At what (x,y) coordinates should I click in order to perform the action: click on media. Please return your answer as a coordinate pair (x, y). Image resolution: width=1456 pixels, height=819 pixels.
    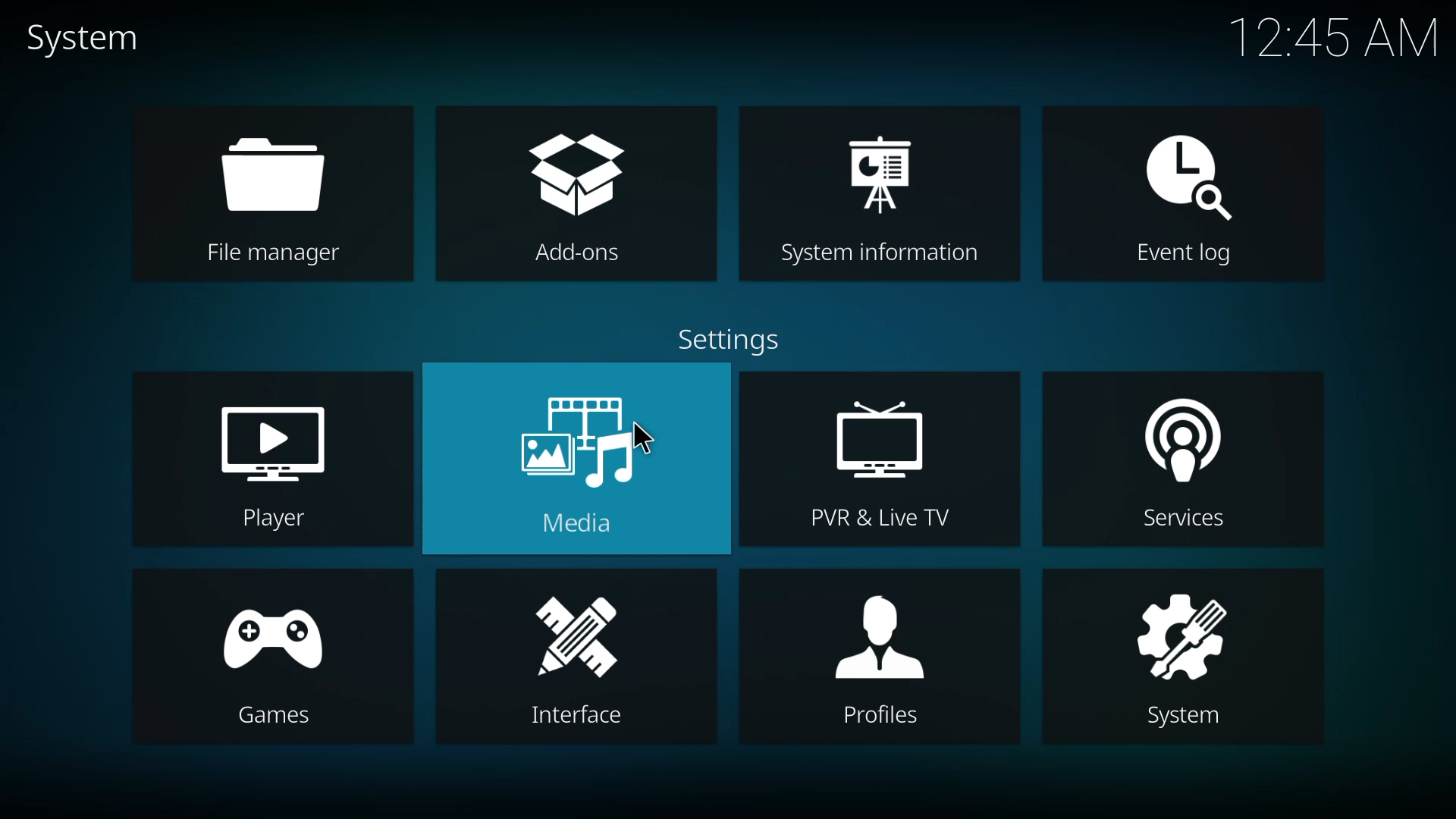
    Looking at the image, I should click on (573, 455).